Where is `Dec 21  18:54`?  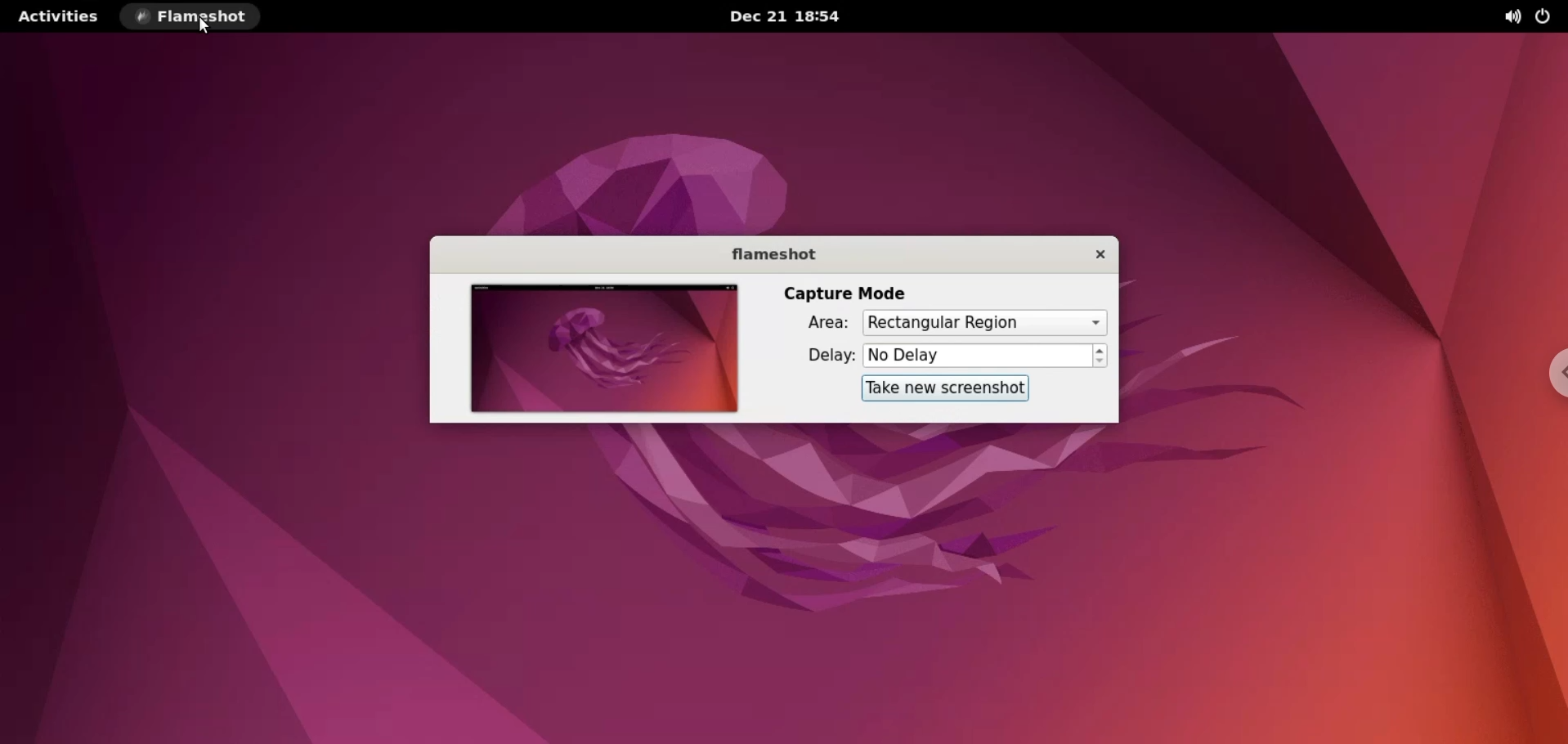 Dec 21  18:54 is located at coordinates (792, 16).